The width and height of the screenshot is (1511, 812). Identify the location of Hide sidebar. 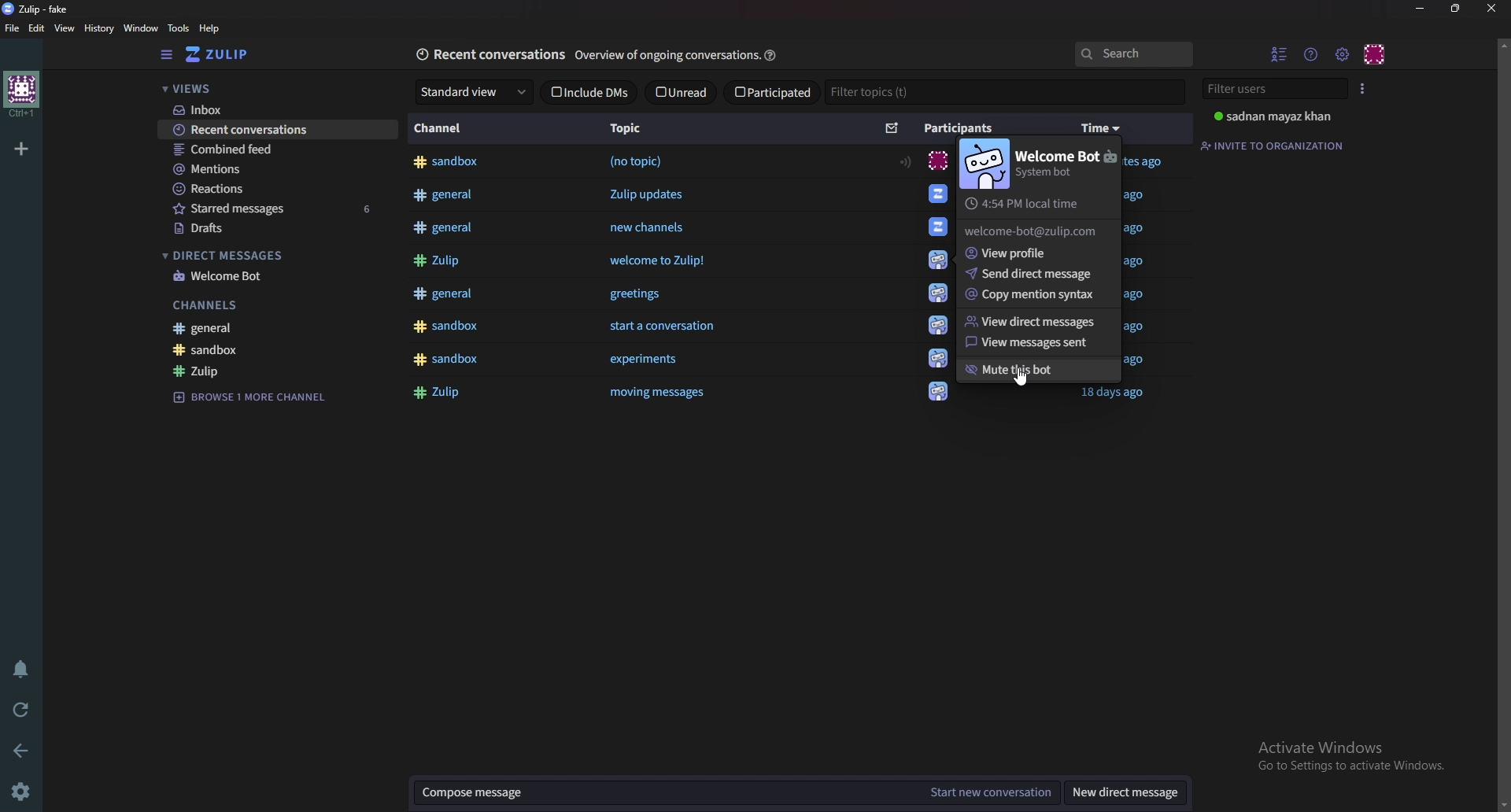
(167, 56).